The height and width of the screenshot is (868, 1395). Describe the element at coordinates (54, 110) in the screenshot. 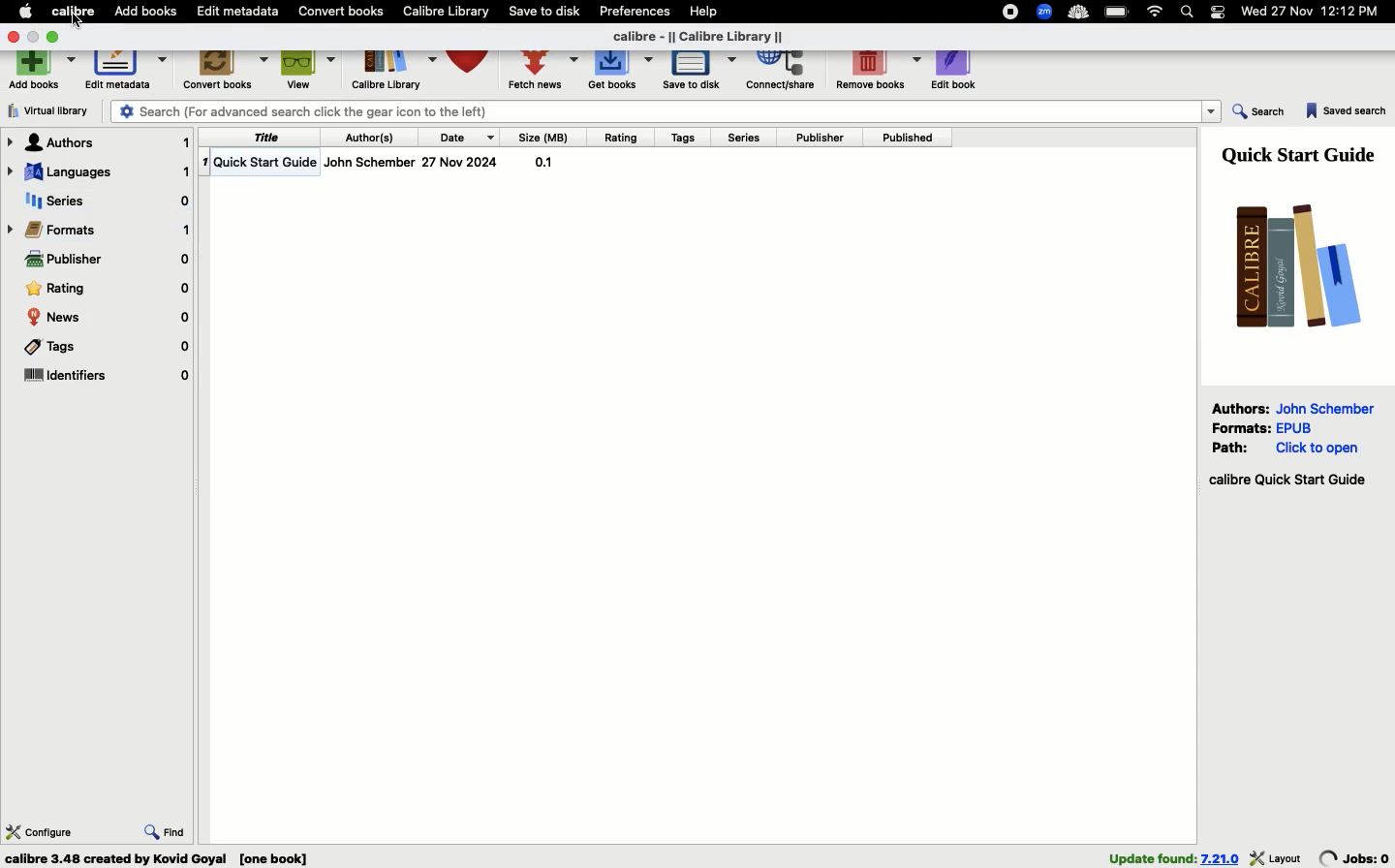

I see `Virtual library` at that location.